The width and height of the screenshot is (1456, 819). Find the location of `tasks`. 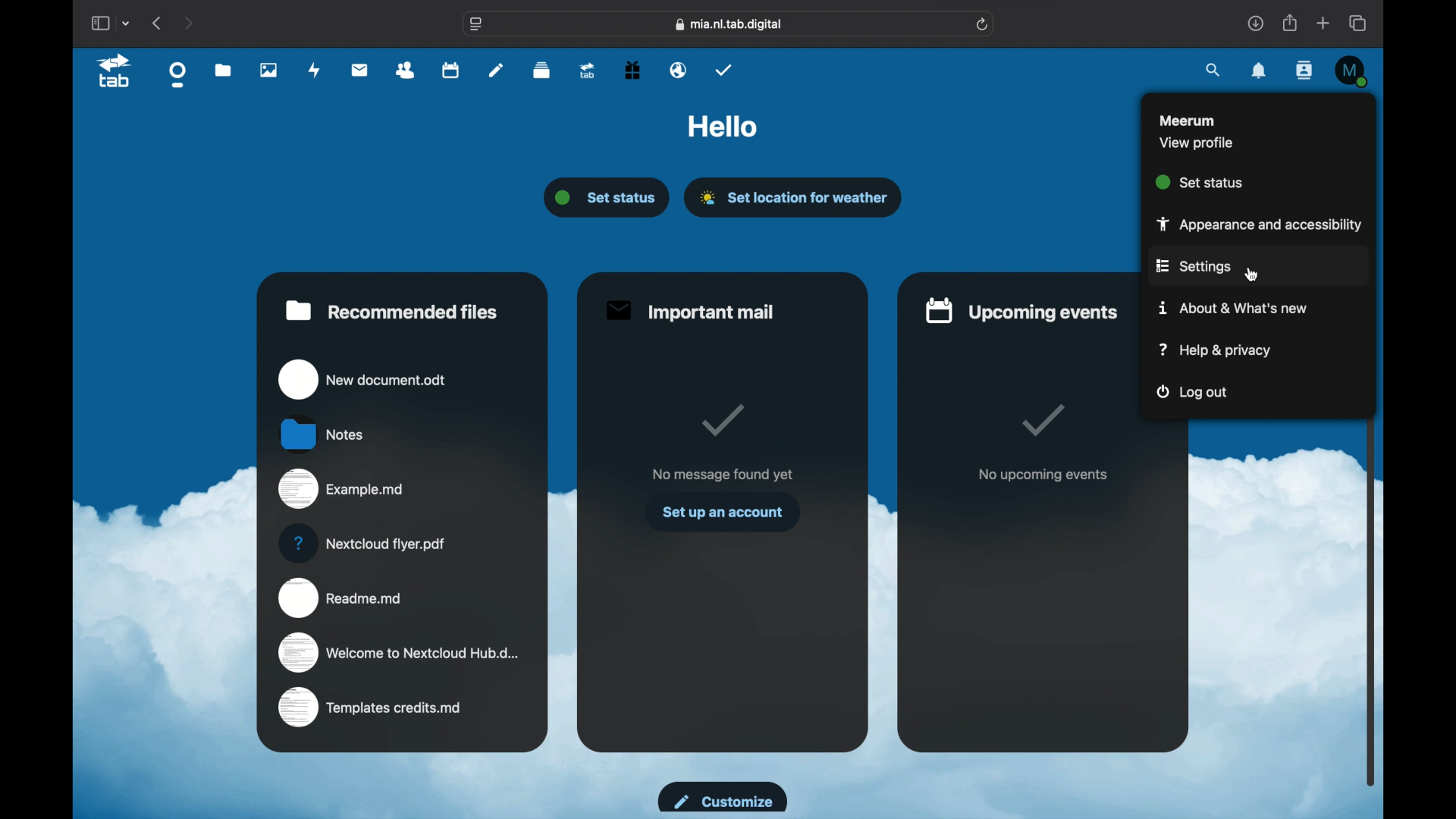

tasks is located at coordinates (724, 69).